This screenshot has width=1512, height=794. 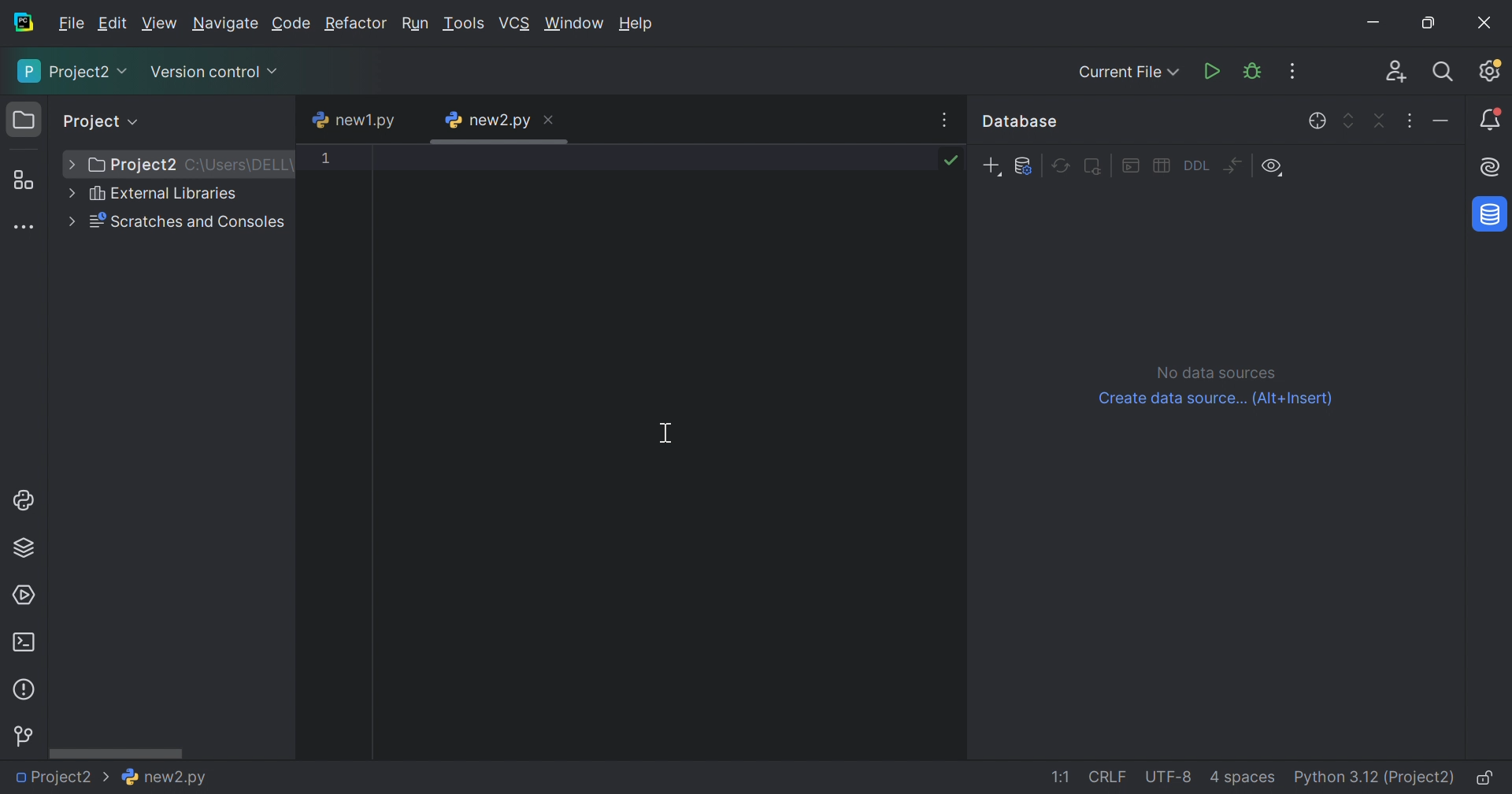 I want to click on Version Control, so click(x=212, y=71).